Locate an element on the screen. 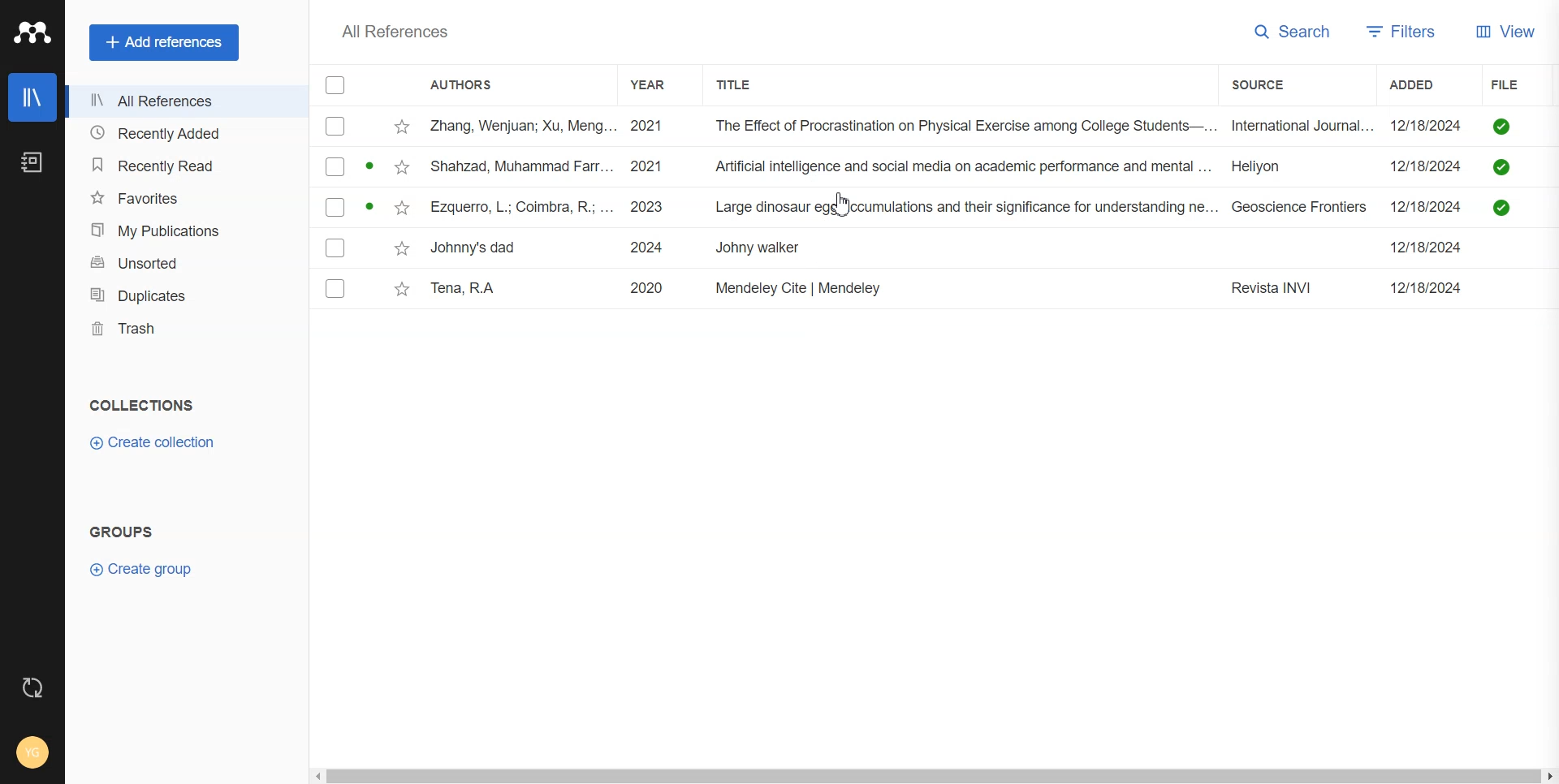 The image size is (1559, 784). date is located at coordinates (1424, 126).